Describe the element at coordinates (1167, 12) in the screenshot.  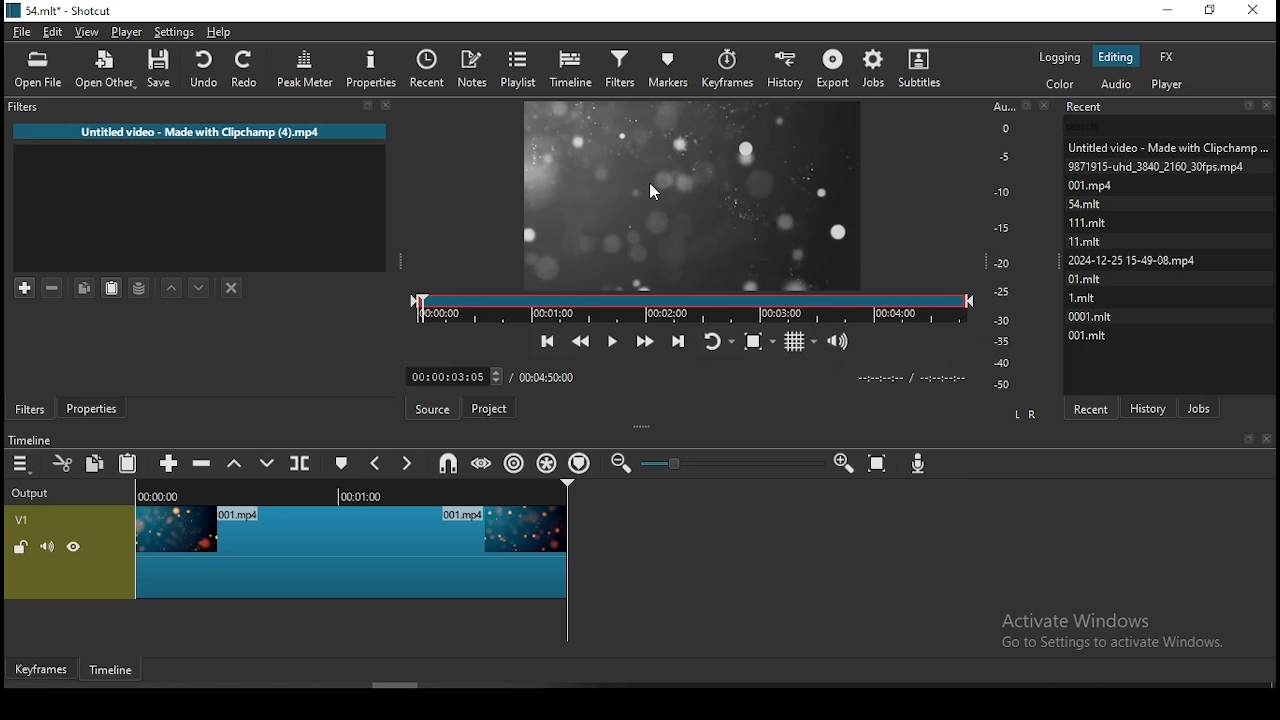
I see `minimize` at that location.